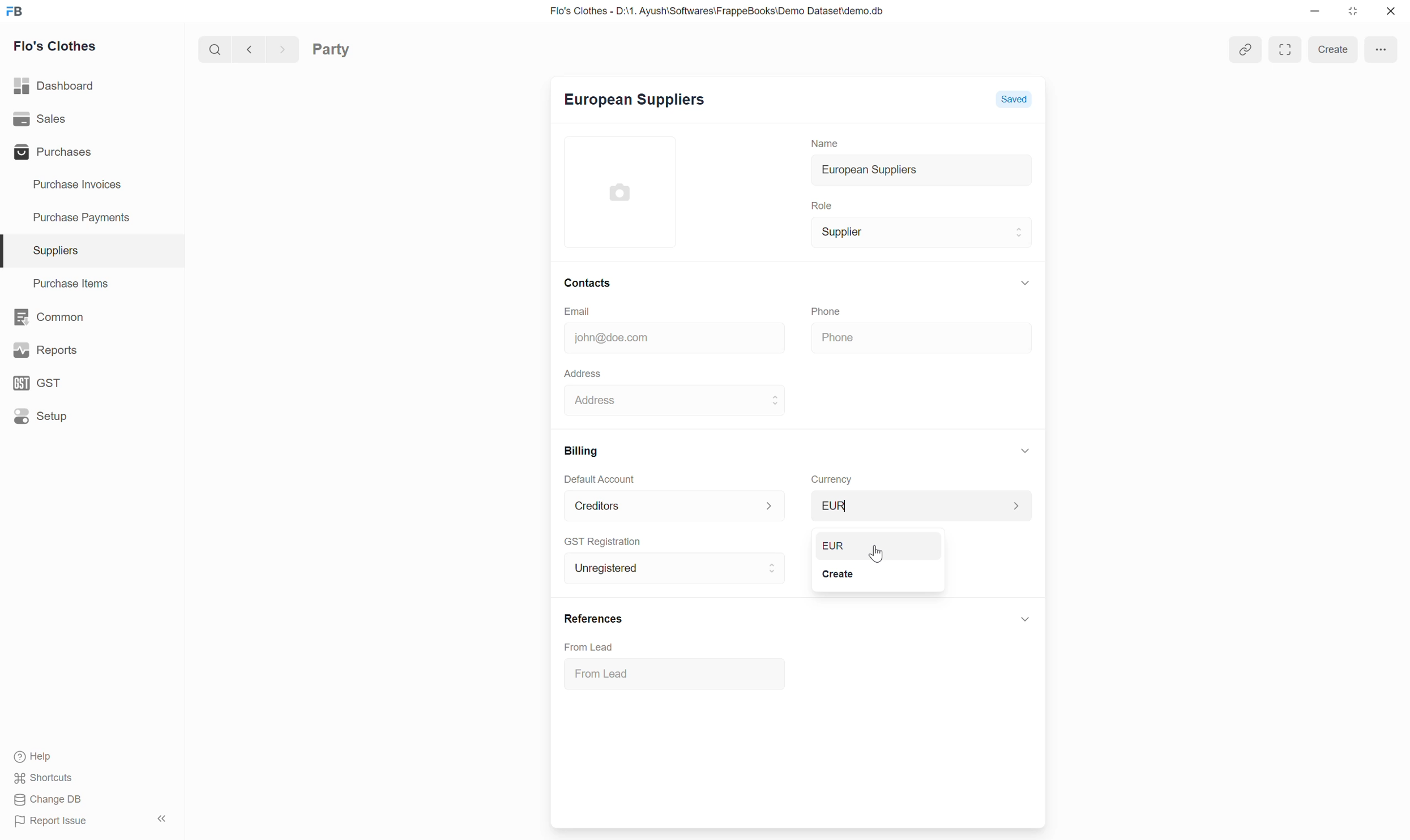 The height and width of the screenshot is (840, 1410). Describe the element at coordinates (608, 672) in the screenshot. I see `From Lead` at that location.